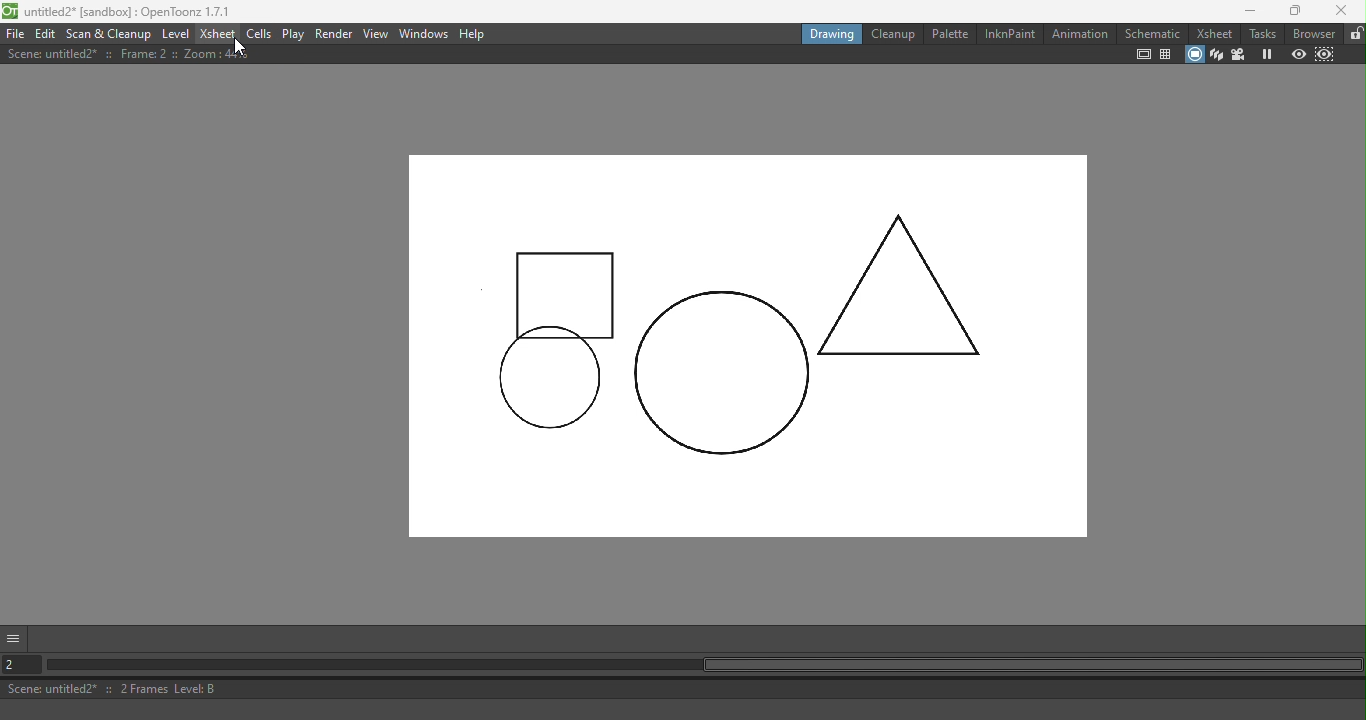 The width and height of the screenshot is (1366, 720). Describe the element at coordinates (218, 33) in the screenshot. I see `Xsheet` at that location.